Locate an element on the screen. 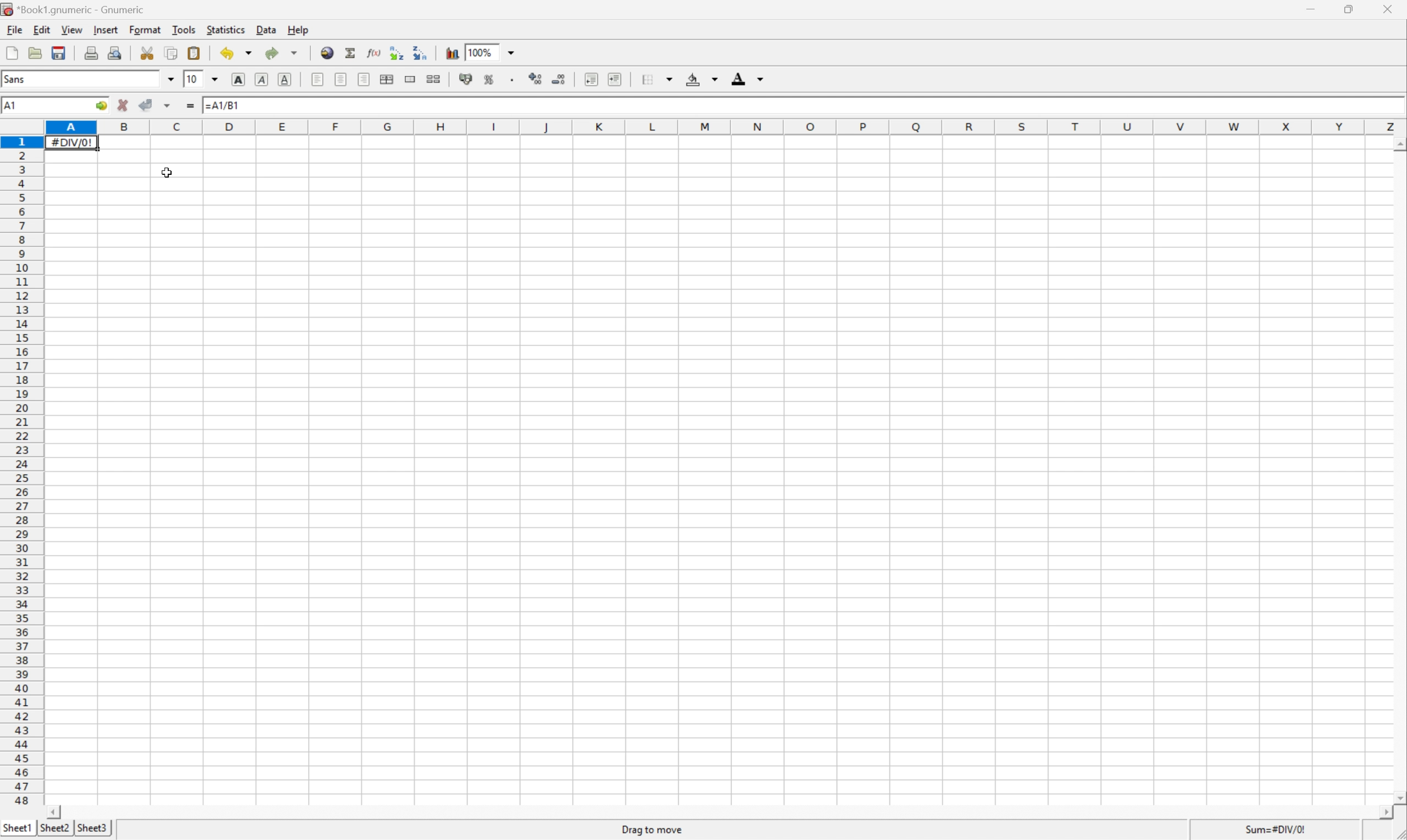 The height and width of the screenshot is (840, 1407). Sheet2 is located at coordinates (55, 829).